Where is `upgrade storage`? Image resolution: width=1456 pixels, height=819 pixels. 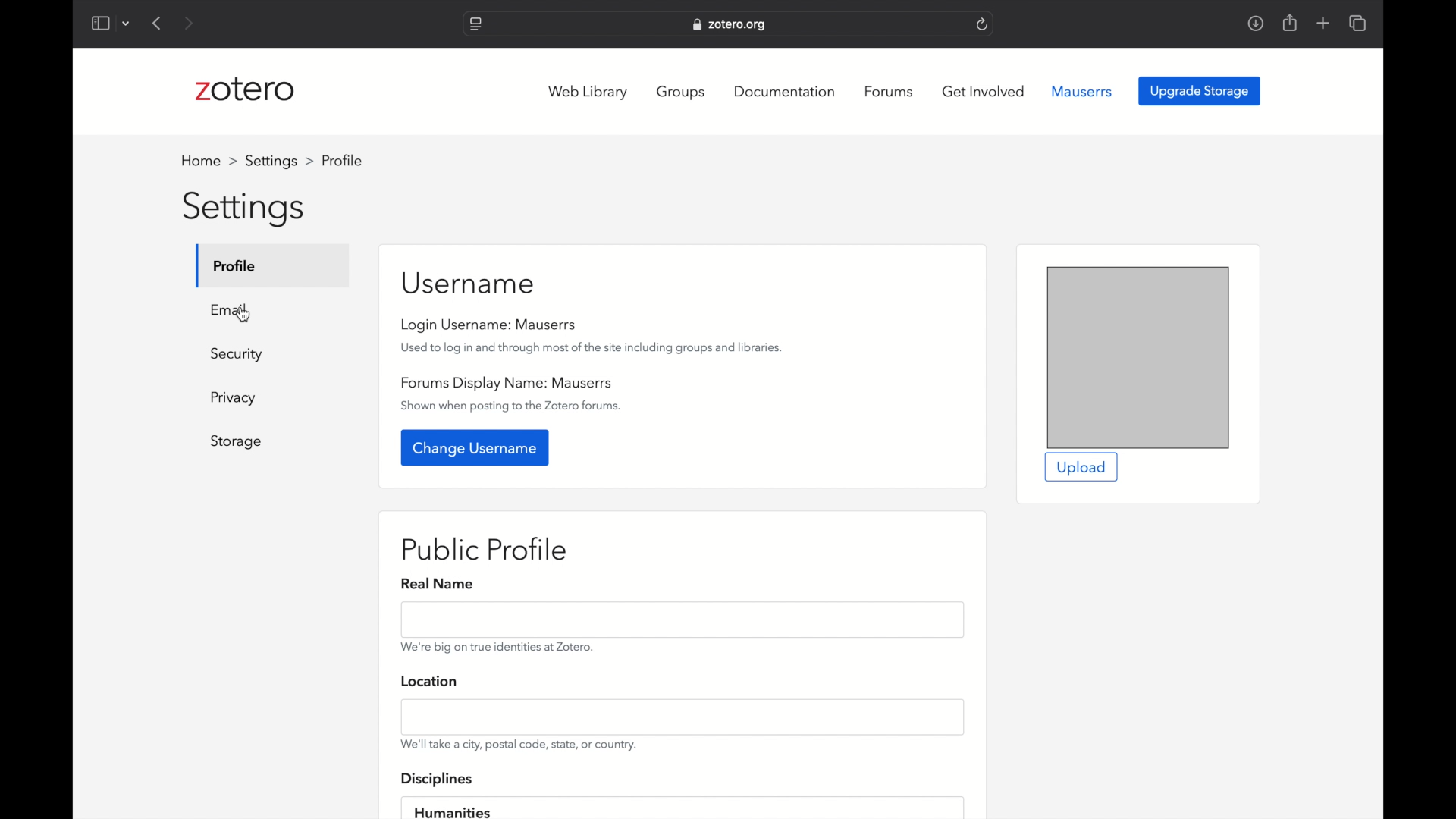 upgrade storage is located at coordinates (1200, 91).